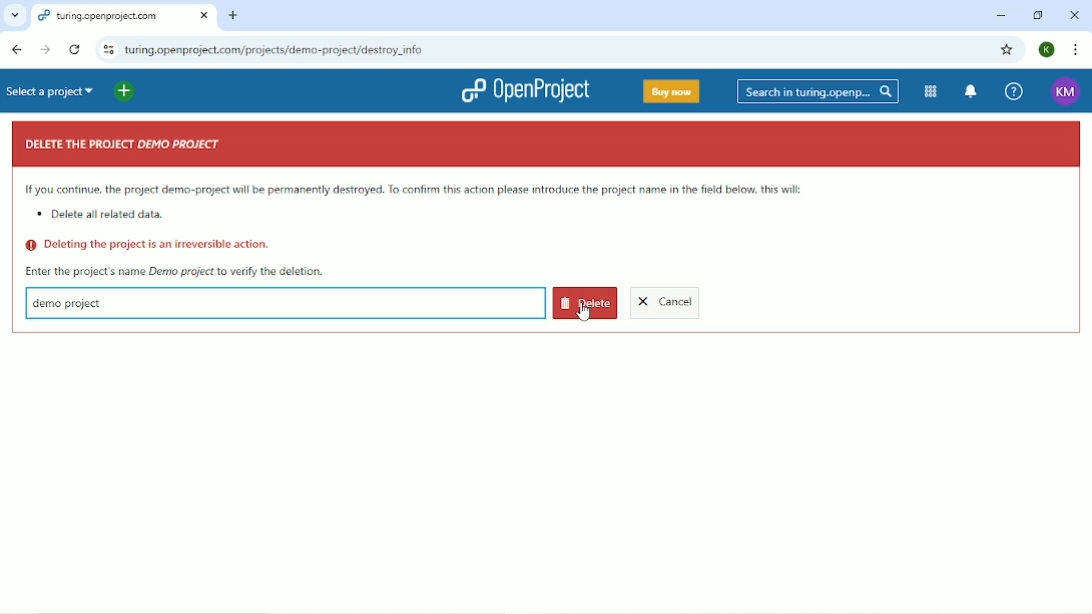 This screenshot has width=1092, height=614. I want to click on Restore down, so click(1037, 16).